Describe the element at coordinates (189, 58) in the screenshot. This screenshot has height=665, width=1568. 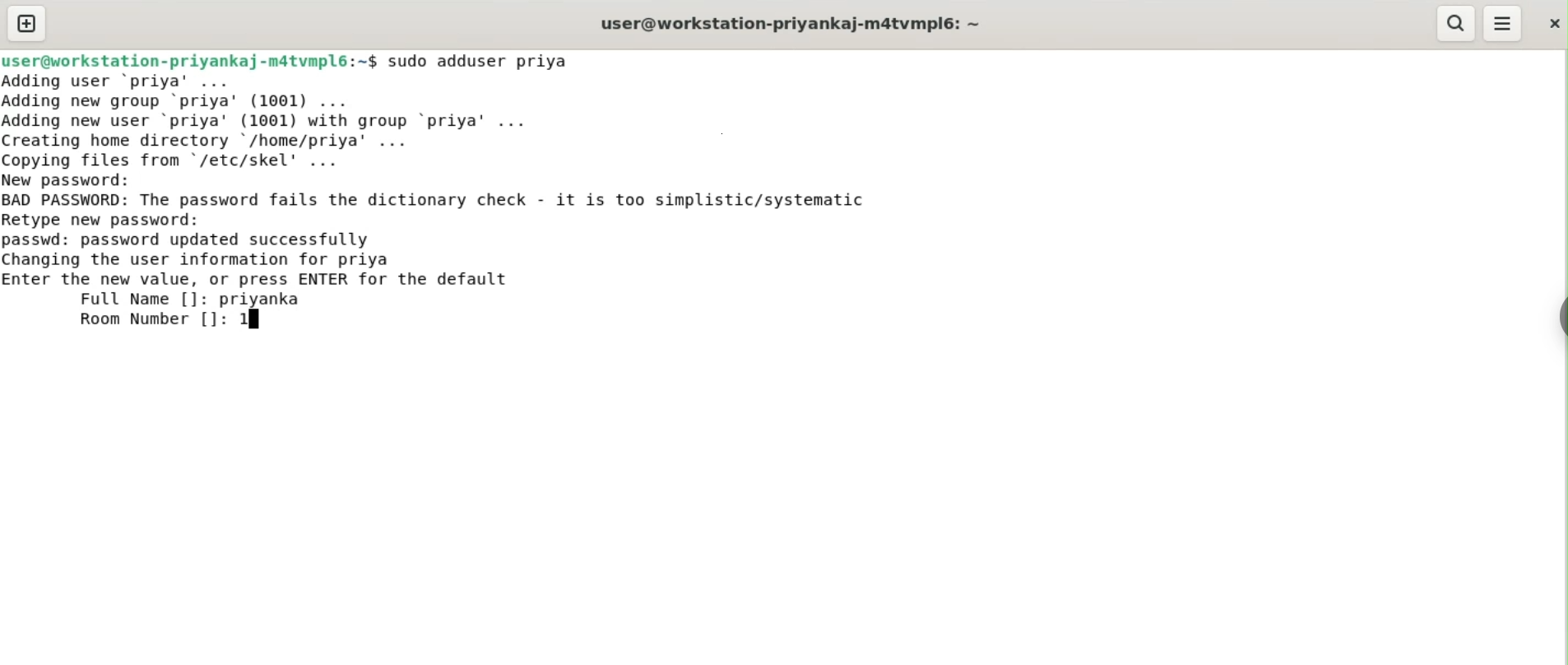
I see `user@workstation-priyankaj-m4tvmpl6:~$` at that location.